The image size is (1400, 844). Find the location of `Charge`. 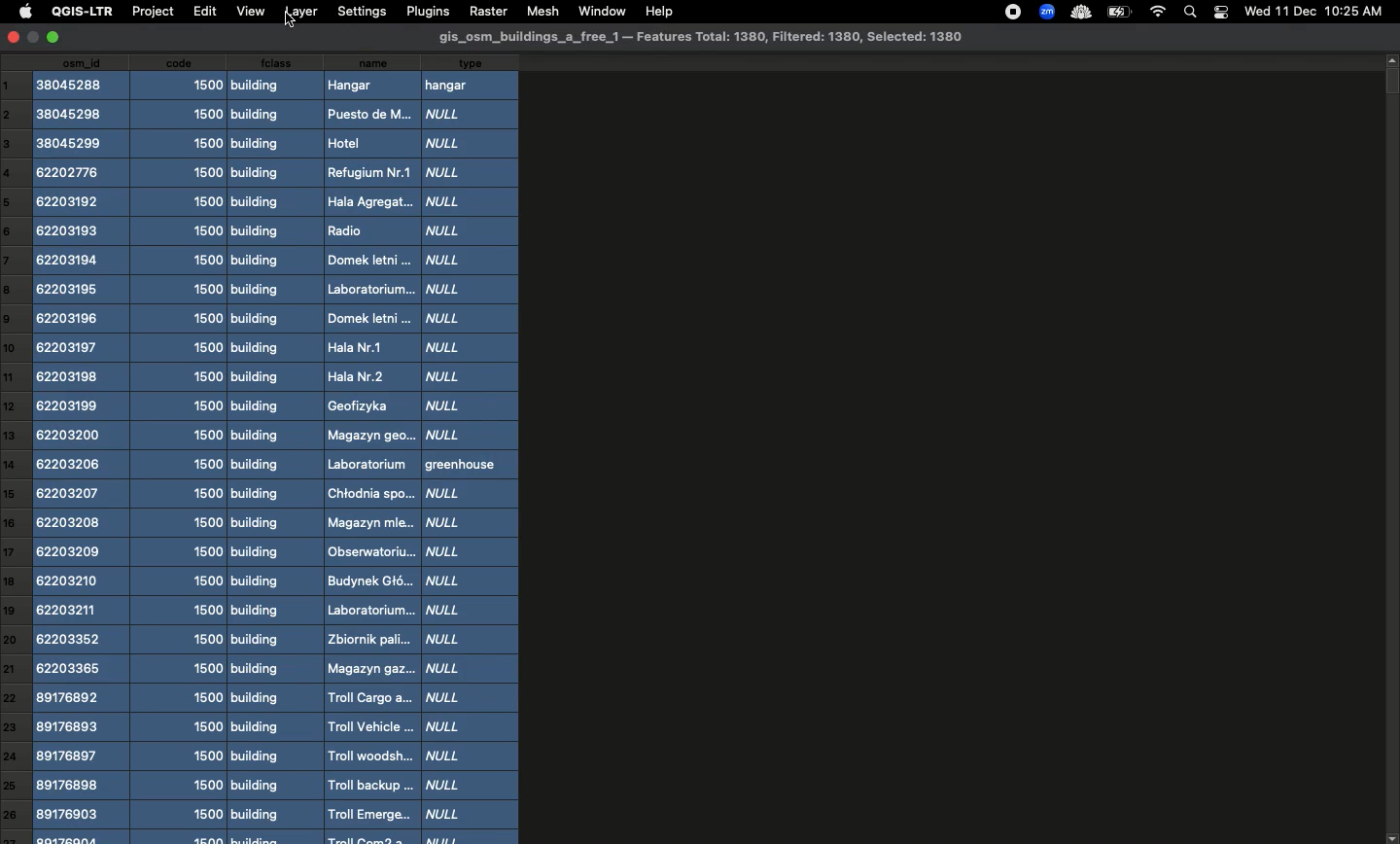

Charge is located at coordinates (1118, 13).